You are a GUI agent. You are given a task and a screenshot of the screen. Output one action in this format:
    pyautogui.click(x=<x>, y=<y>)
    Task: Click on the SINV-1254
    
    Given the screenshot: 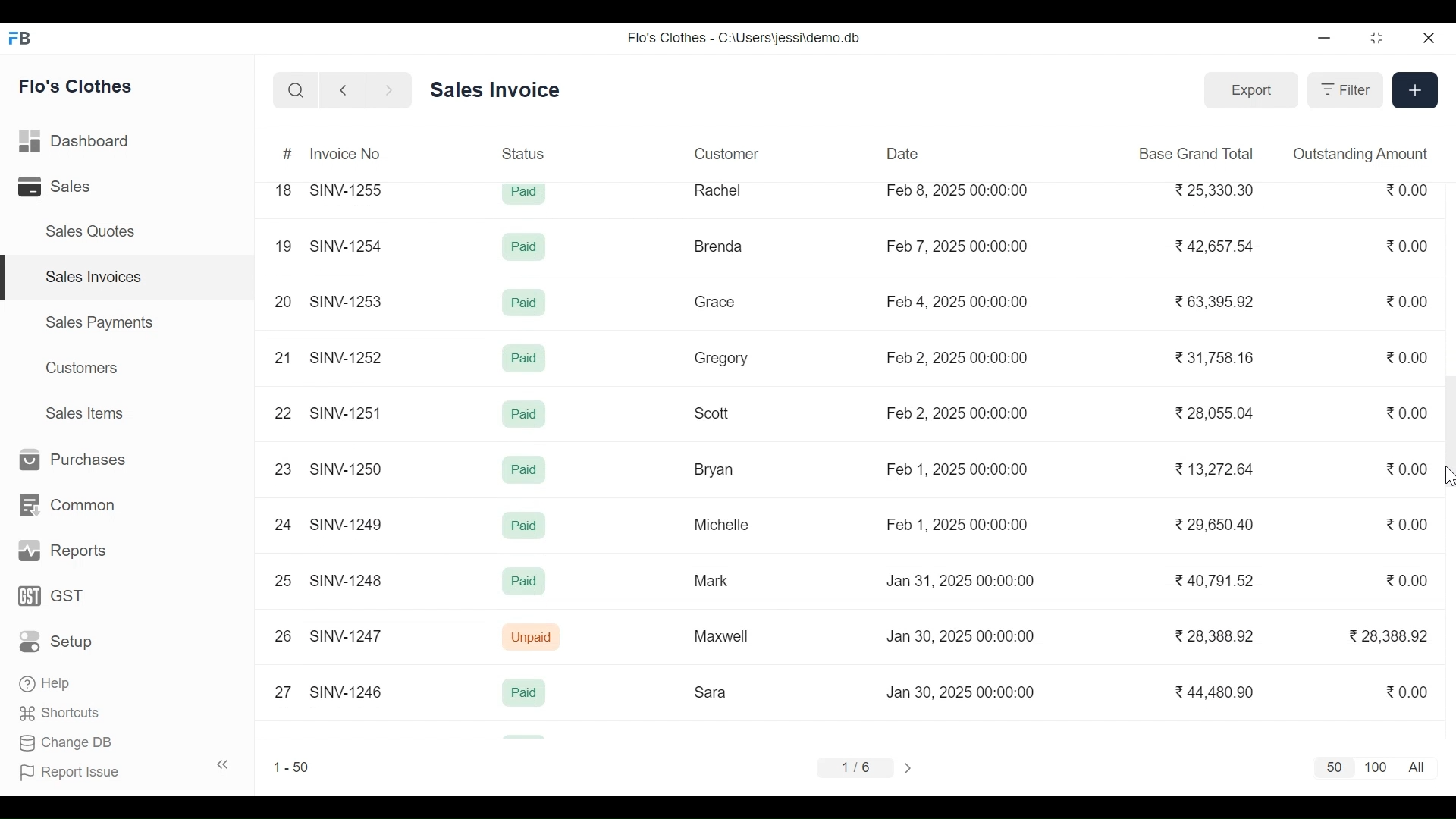 What is the action you would take?
    pyautogui.click(x=346, y=240)
    